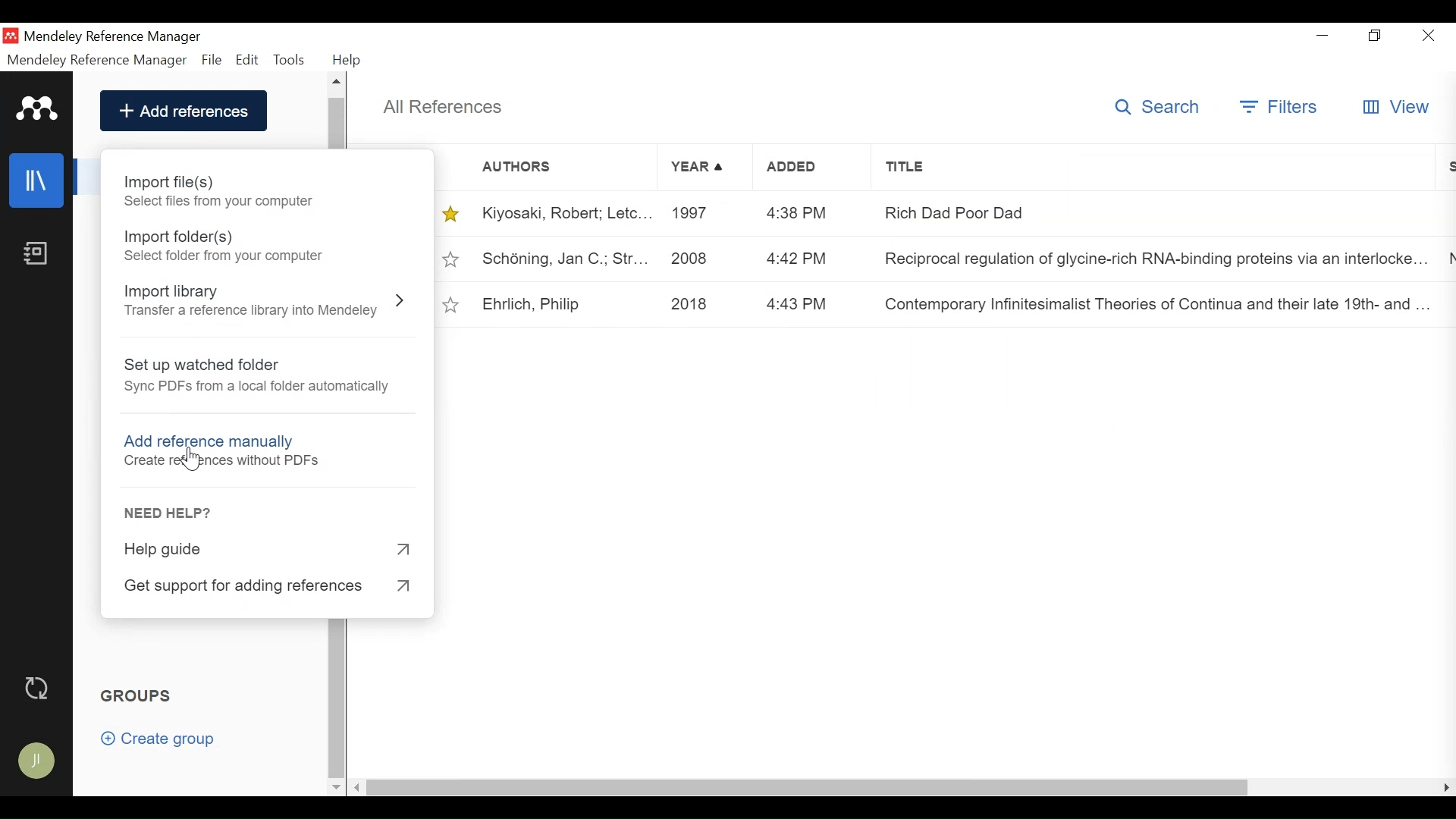 The height and width of the screenshot is (819, 1456). What do you see at coordinates (292, 60) in the screenshot?
I see `Tools` at bounding box center [292, 60].